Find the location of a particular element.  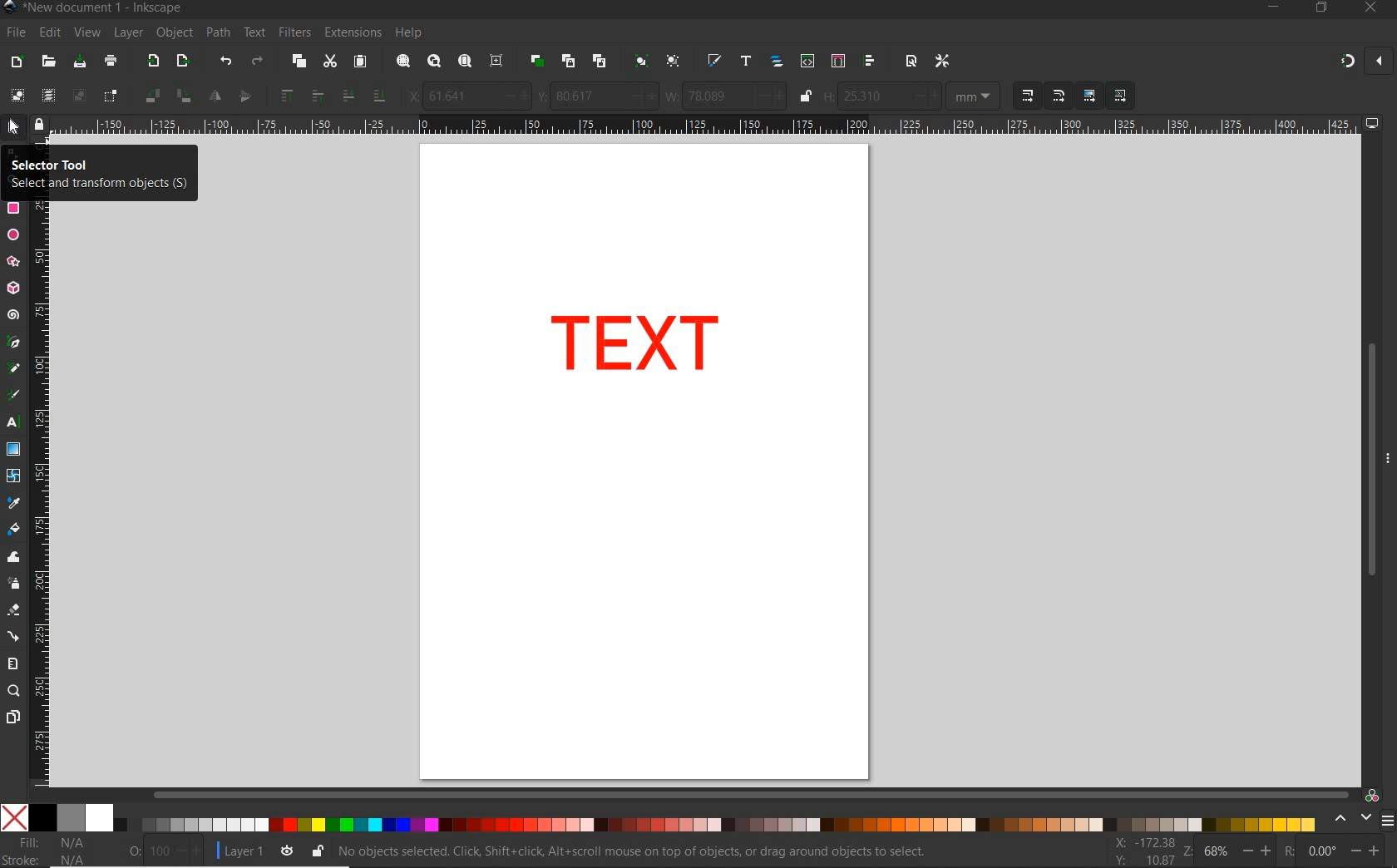

MOVE PATTERNS is located at coordinates (1119, 96).